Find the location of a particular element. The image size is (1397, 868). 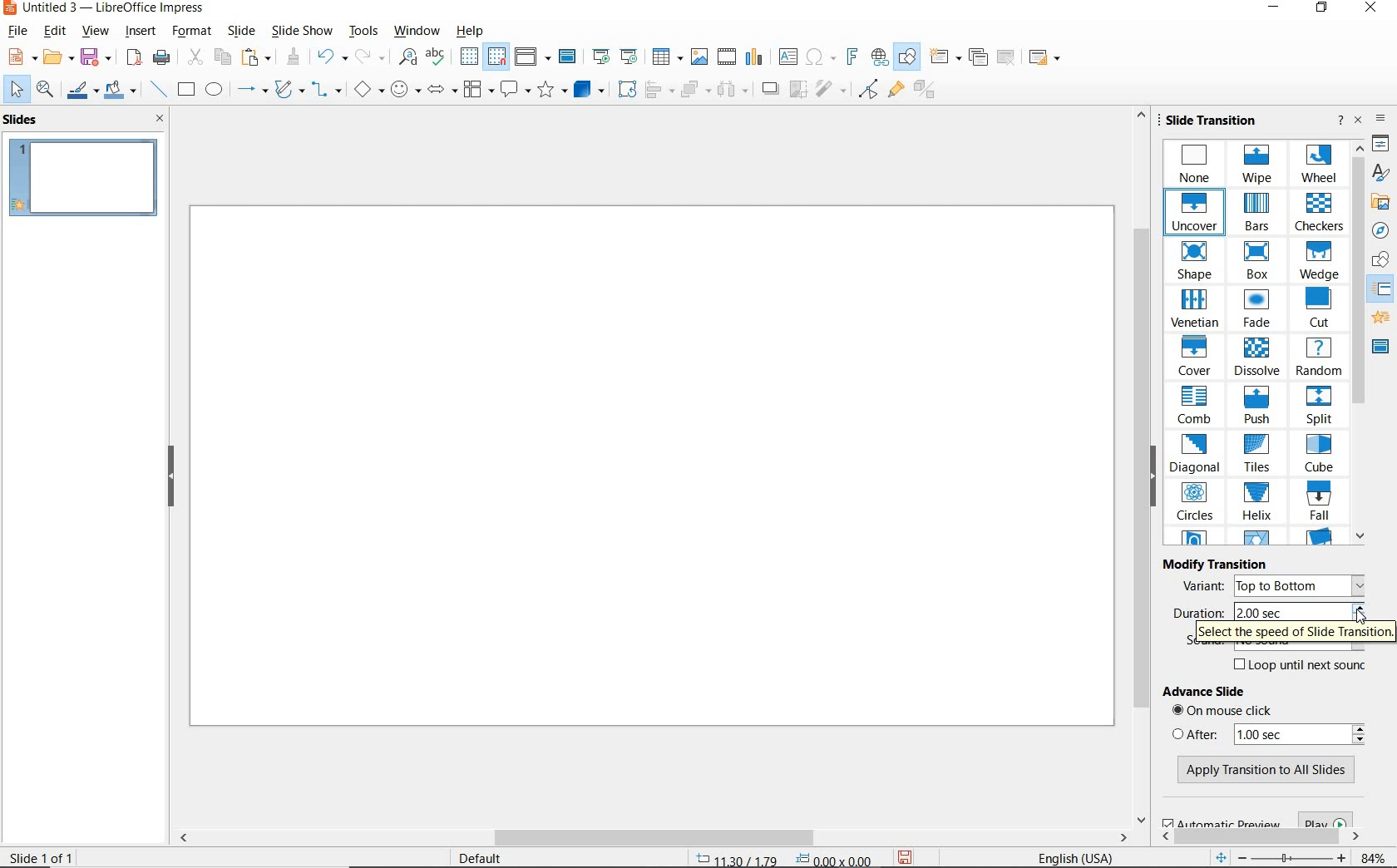

ZOOM & PAN is located at coordinates (47, 91).